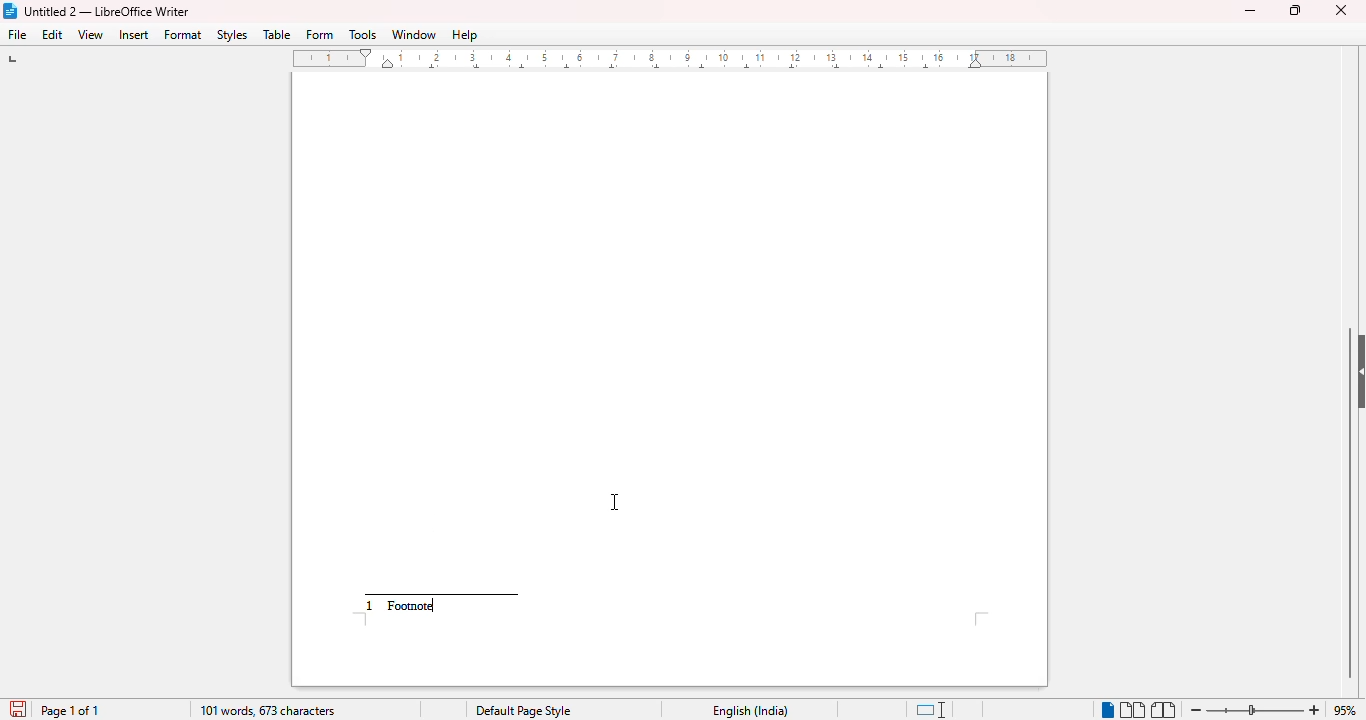 The image size is (1366, 720). Describe the element at coordinates (1250, 11) in the screenshot. I see `minimize` at that location.